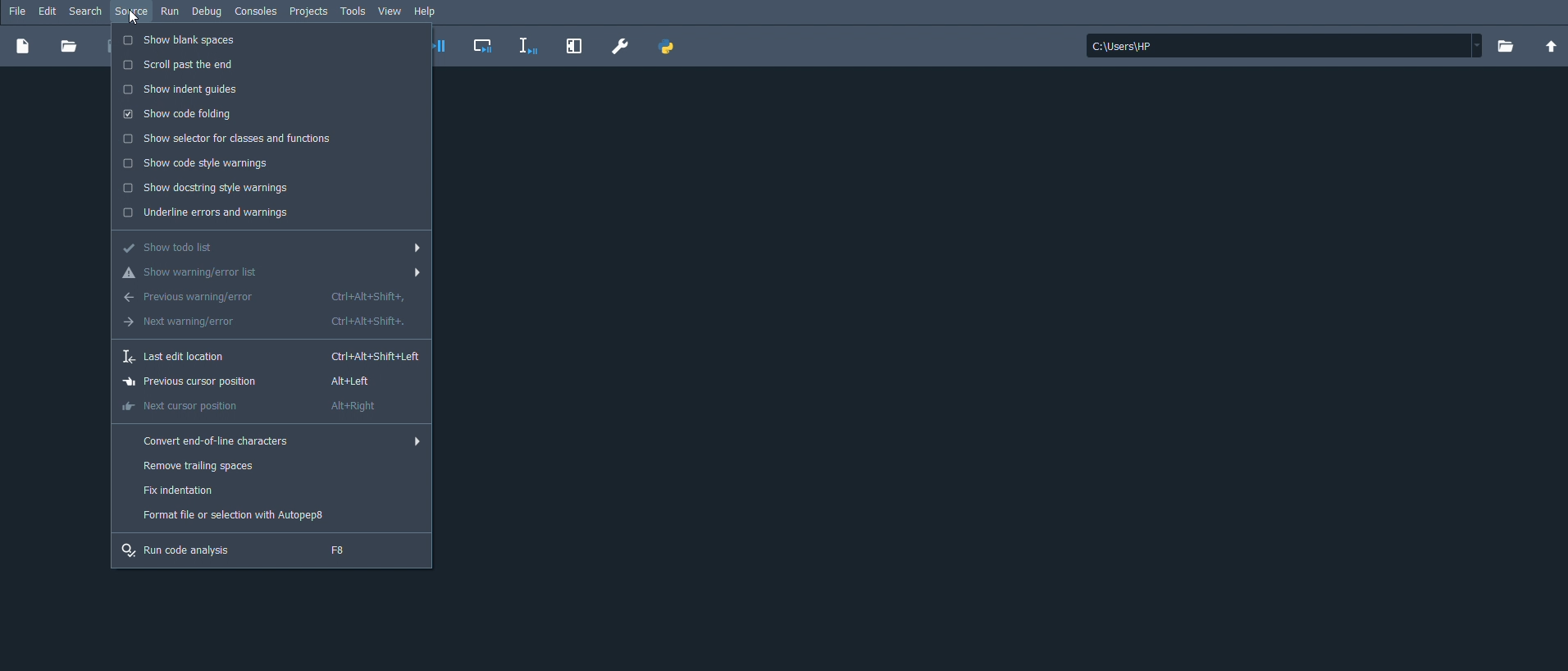 Image resolution: width=1568 pixels, height=671 pixels. I want to click on Preferences, so click(622, 47).